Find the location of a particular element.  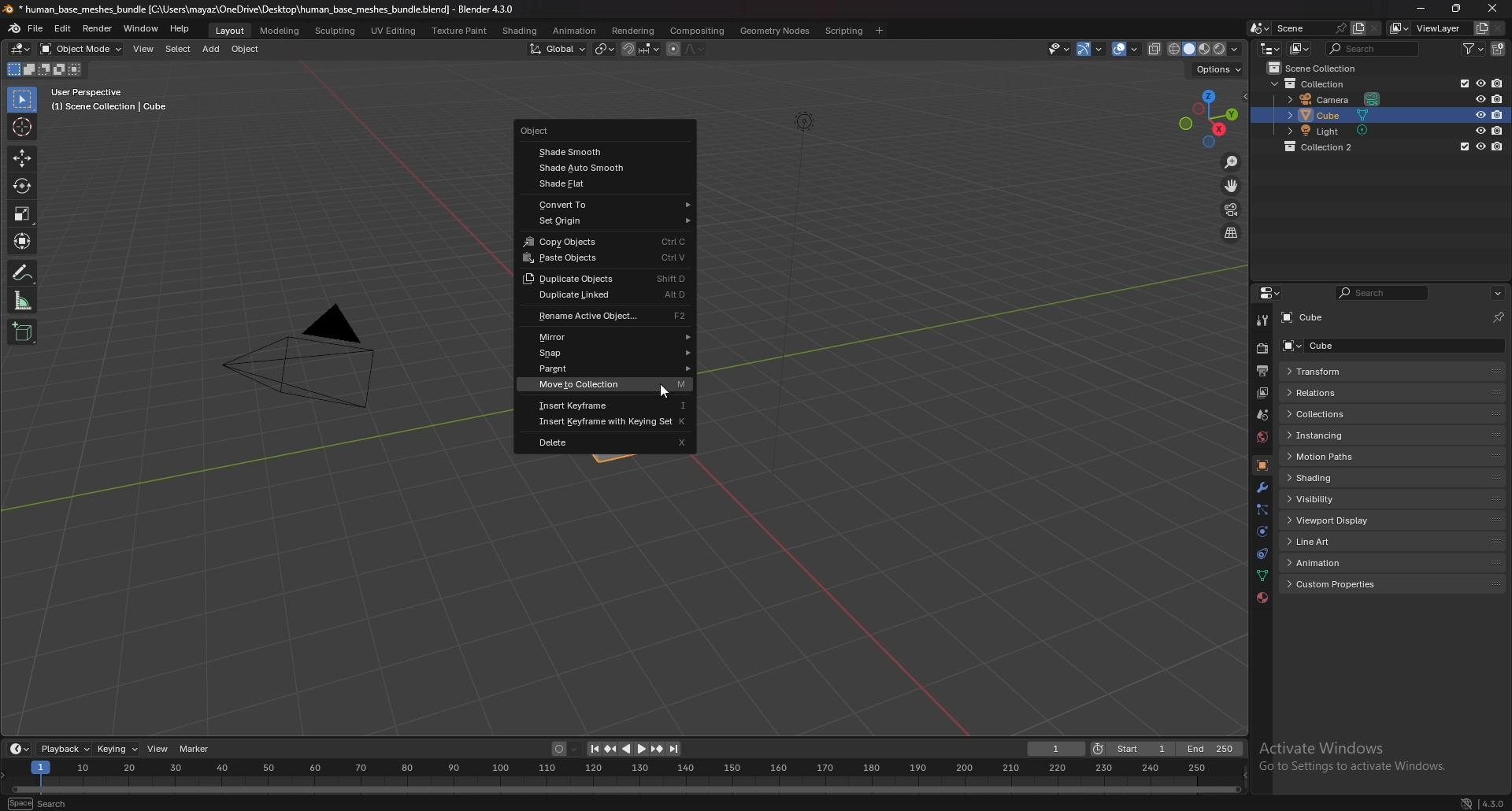

transform is located at coordinates (1338, 371).